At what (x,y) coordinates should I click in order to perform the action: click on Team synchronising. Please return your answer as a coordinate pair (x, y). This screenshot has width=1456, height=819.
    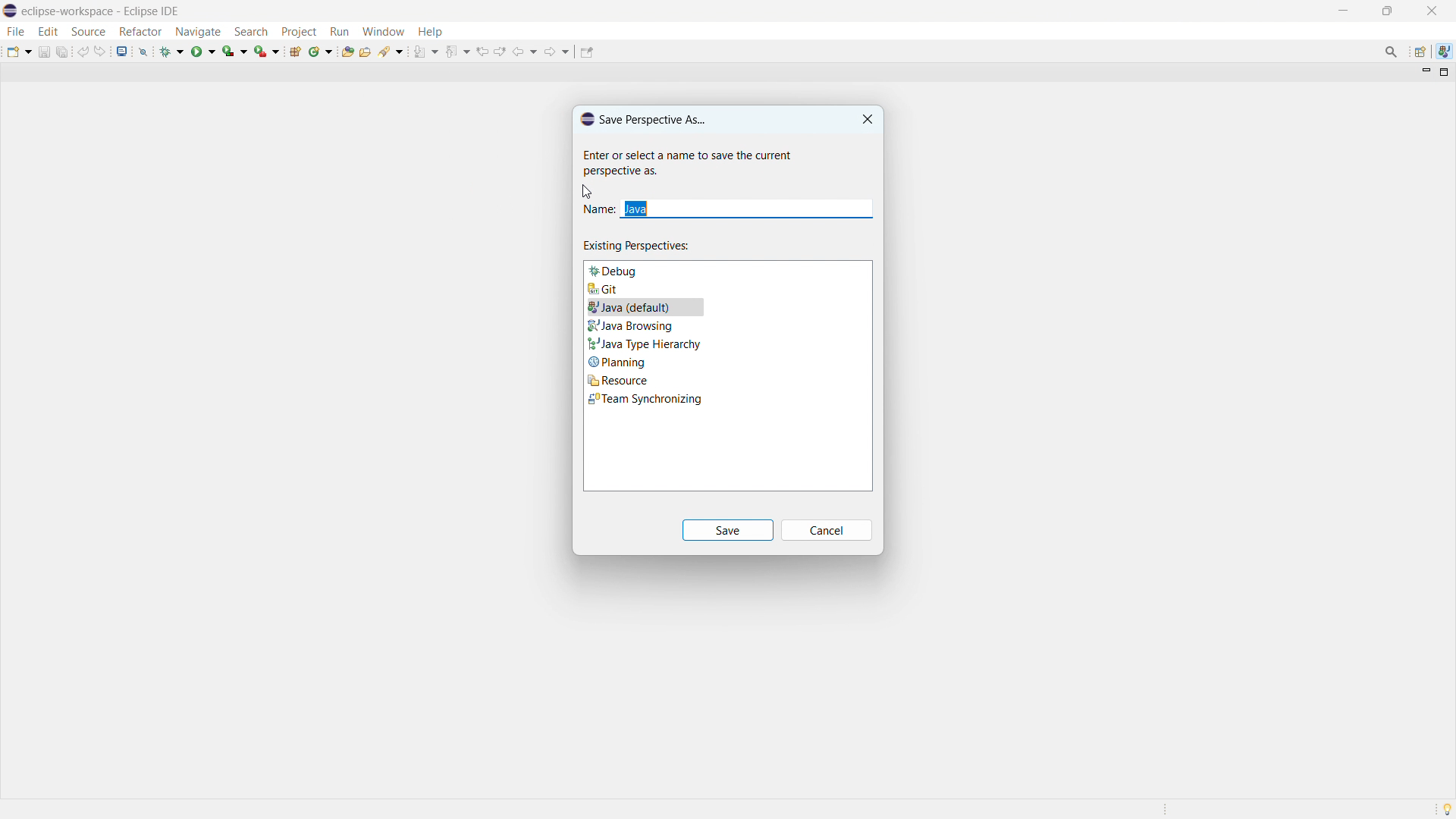
    Looking at the image, I should click on (726, 399).